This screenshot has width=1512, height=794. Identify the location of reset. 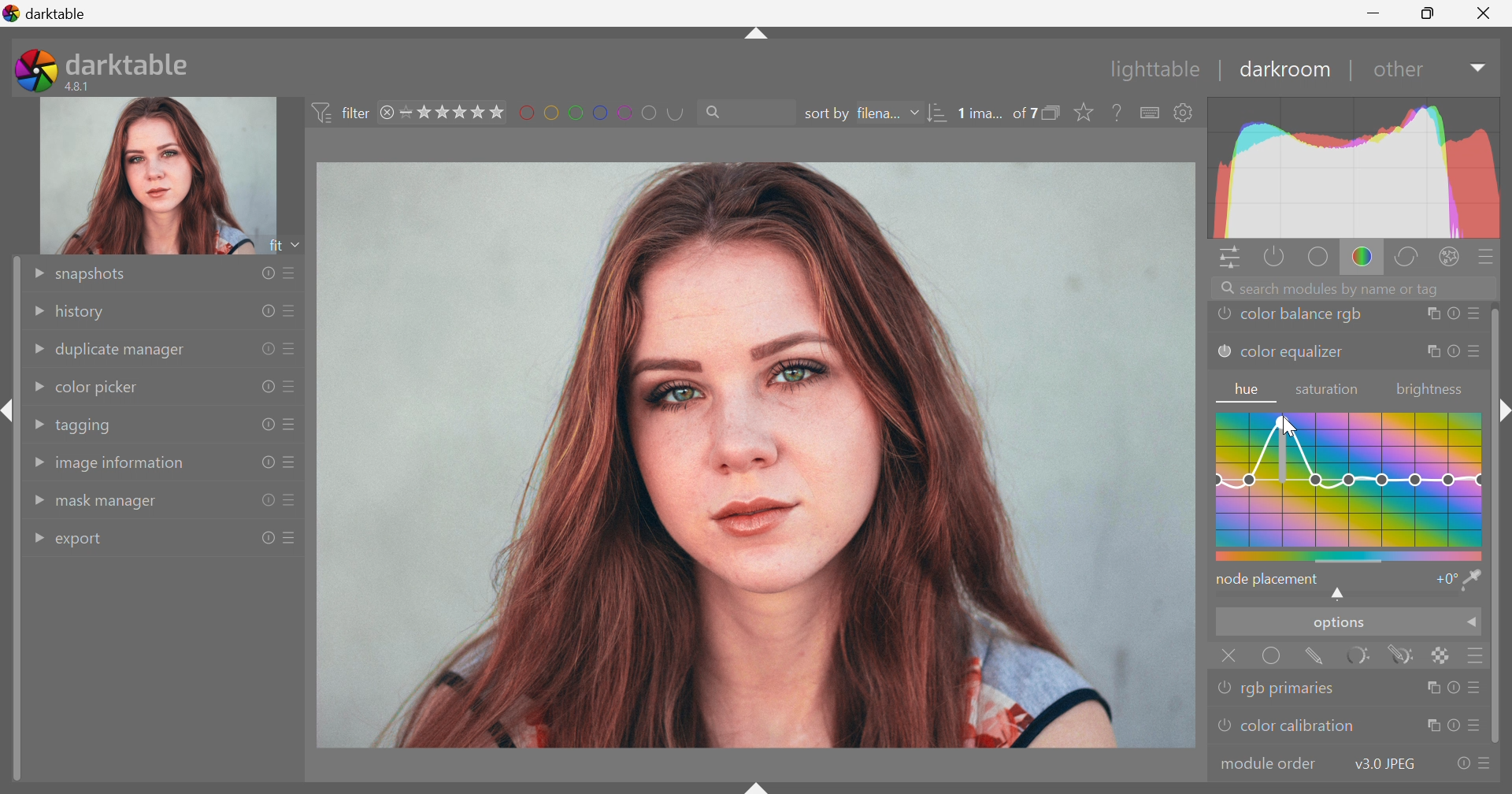
(1452, 726).